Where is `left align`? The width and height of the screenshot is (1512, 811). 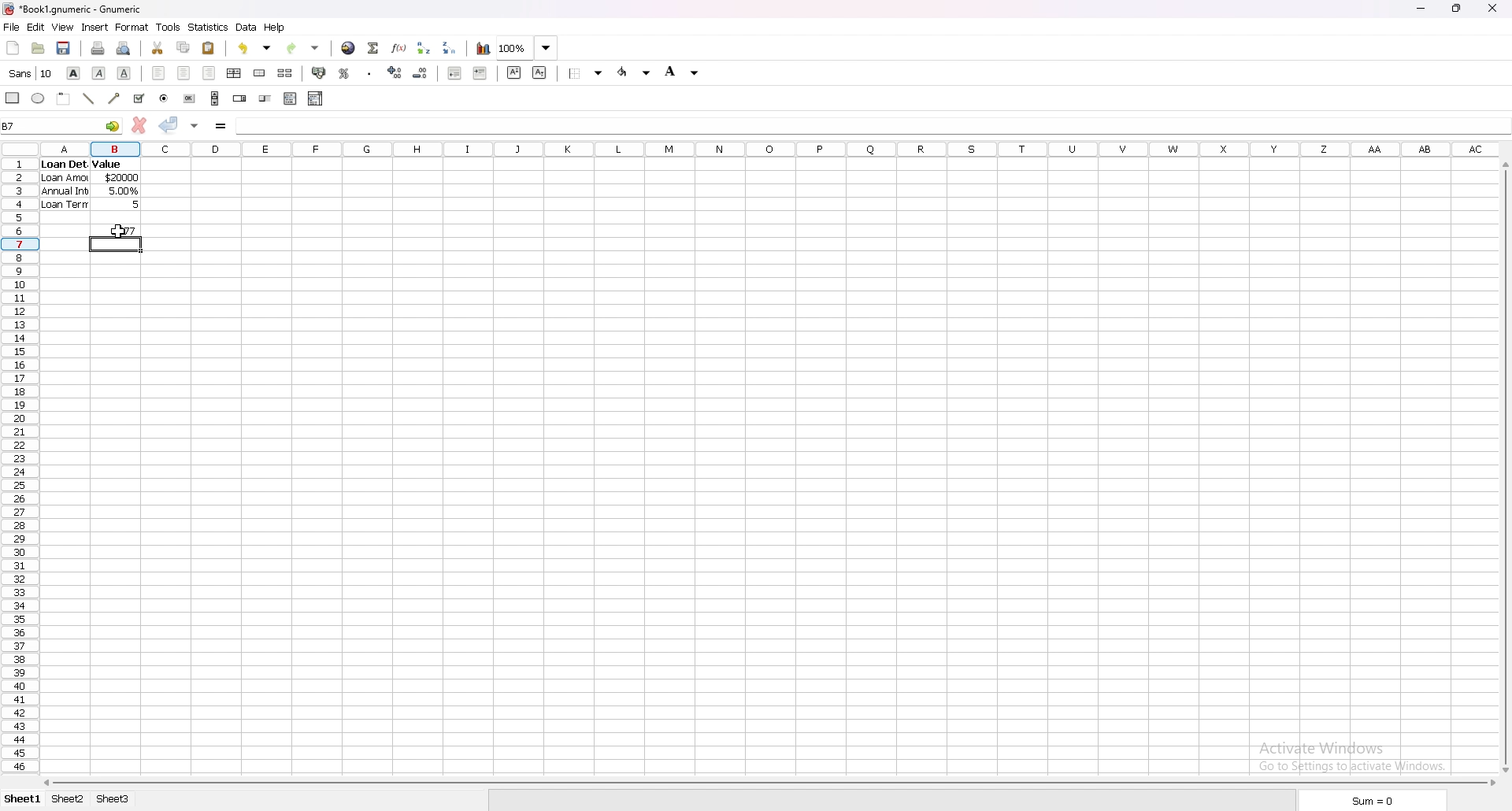 left align is located at coordinates (158, 72).